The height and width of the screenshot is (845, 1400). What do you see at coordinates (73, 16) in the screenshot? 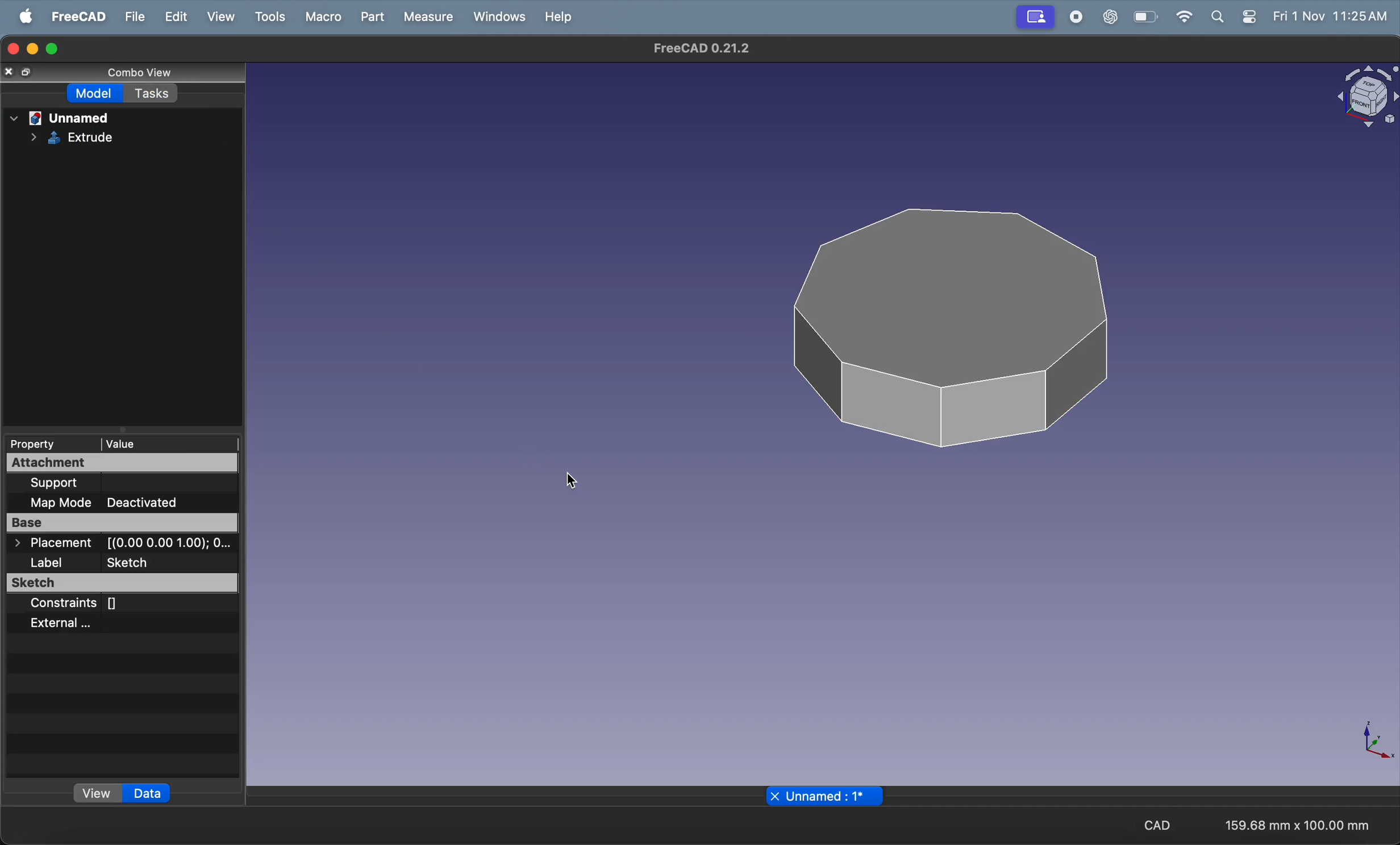
I see `free cad` at bounding box center [73, 16].